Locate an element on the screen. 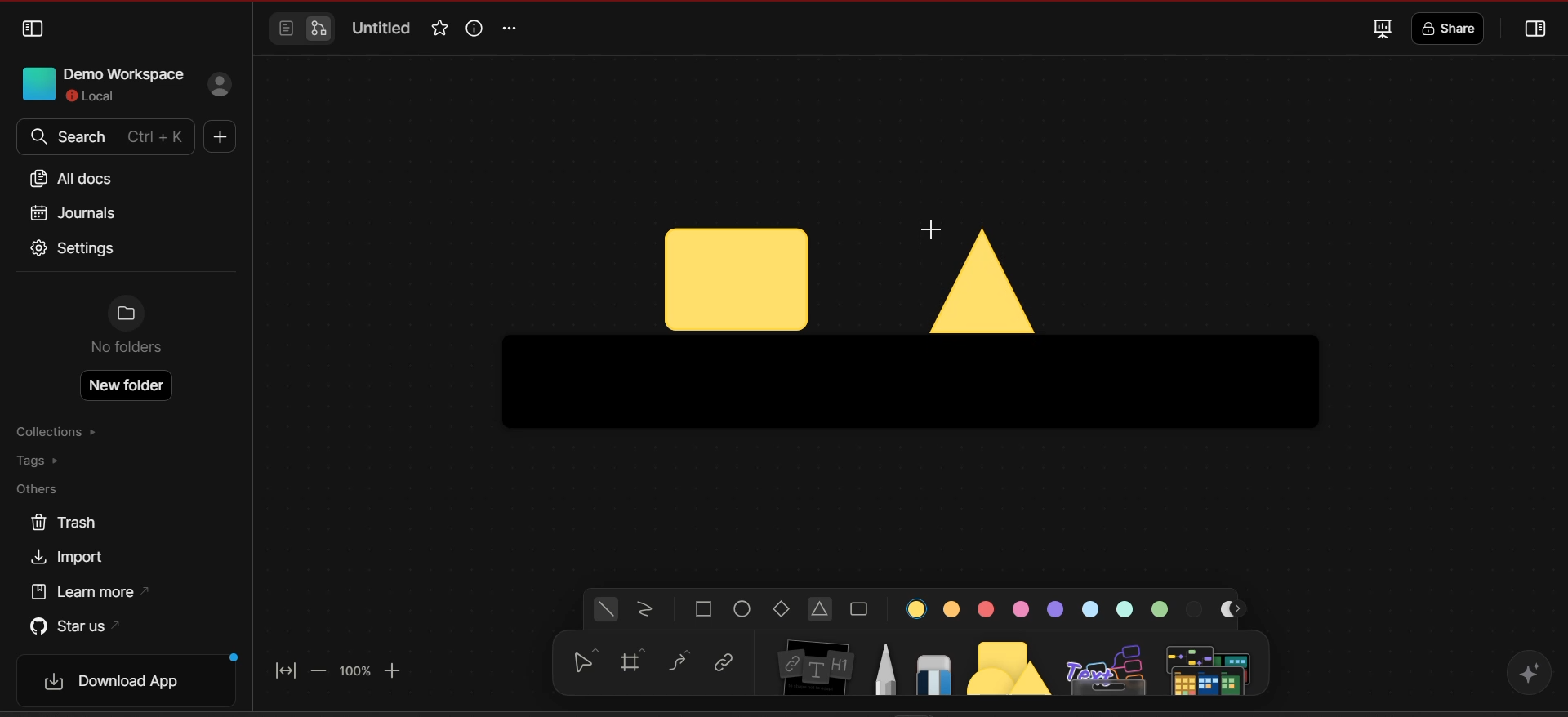 This screenshot has height=717, width=1568. share is located at coordinates (1451, 29).